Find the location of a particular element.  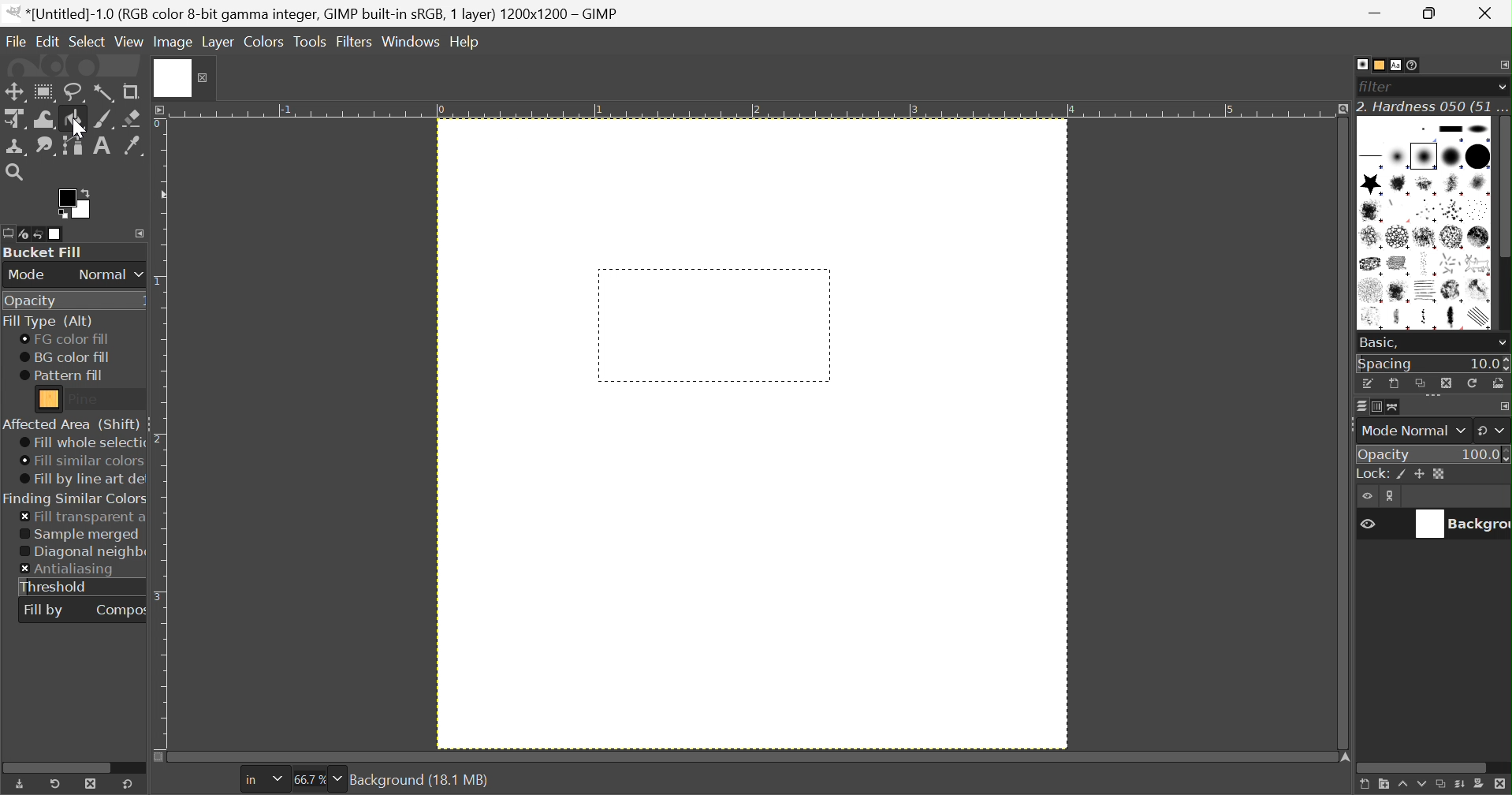

Fill Type (Alt) is located at coordinates (47, 322).